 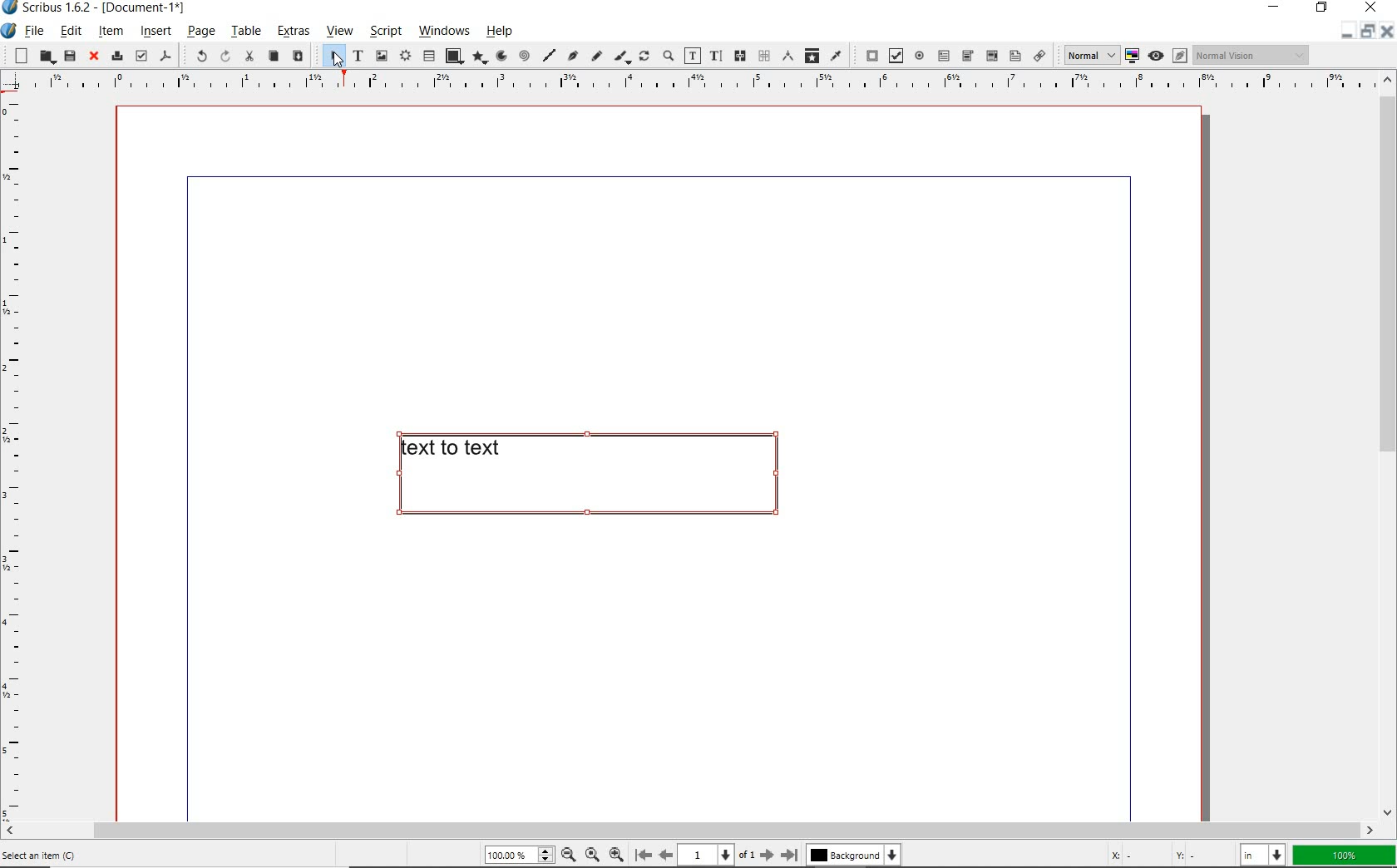 What do you see at coordinates (766, 855) in the screenshot?
I see `Next page` at bounding box center [766, 855].